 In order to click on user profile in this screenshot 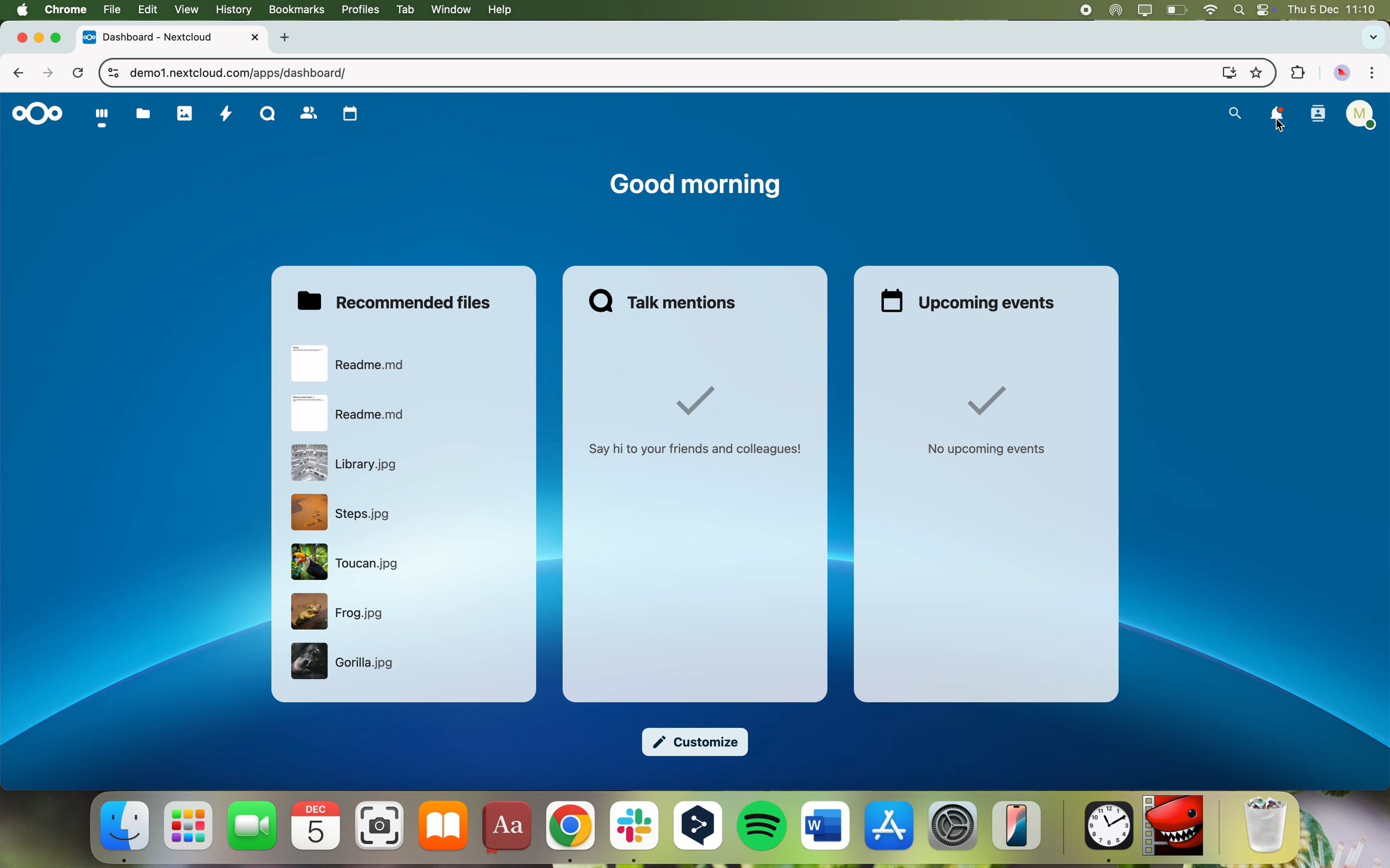, I will do `click(1363, 117)`.